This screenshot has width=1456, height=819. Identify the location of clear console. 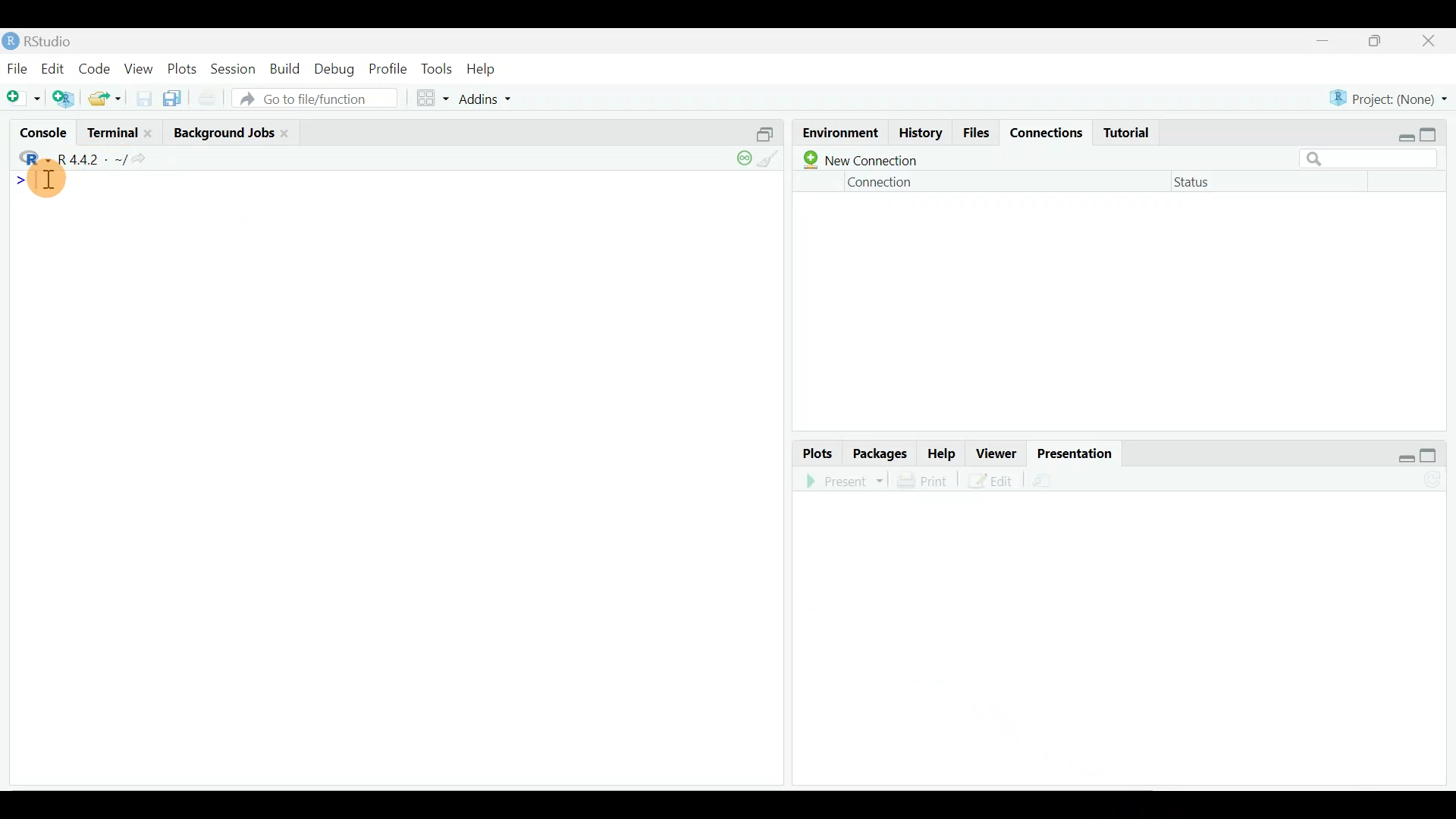
(773, 162).